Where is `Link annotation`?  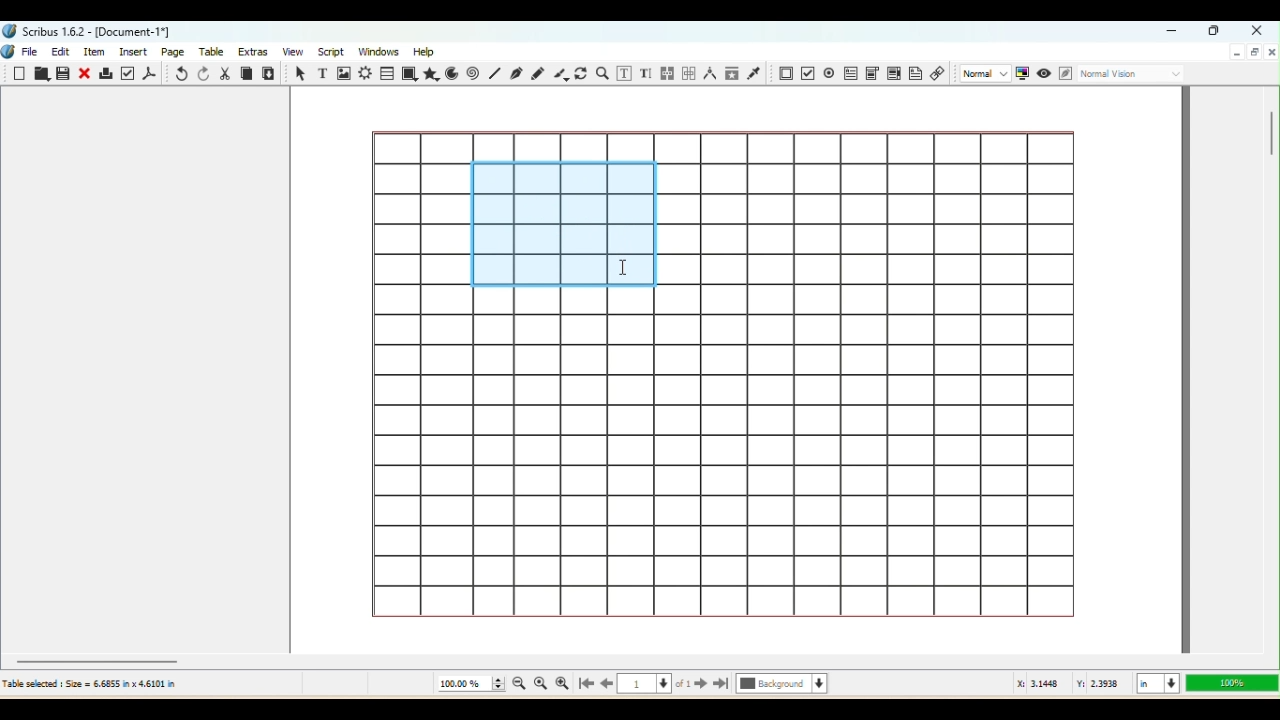
Link annotation is located at coordinates (938, 75).